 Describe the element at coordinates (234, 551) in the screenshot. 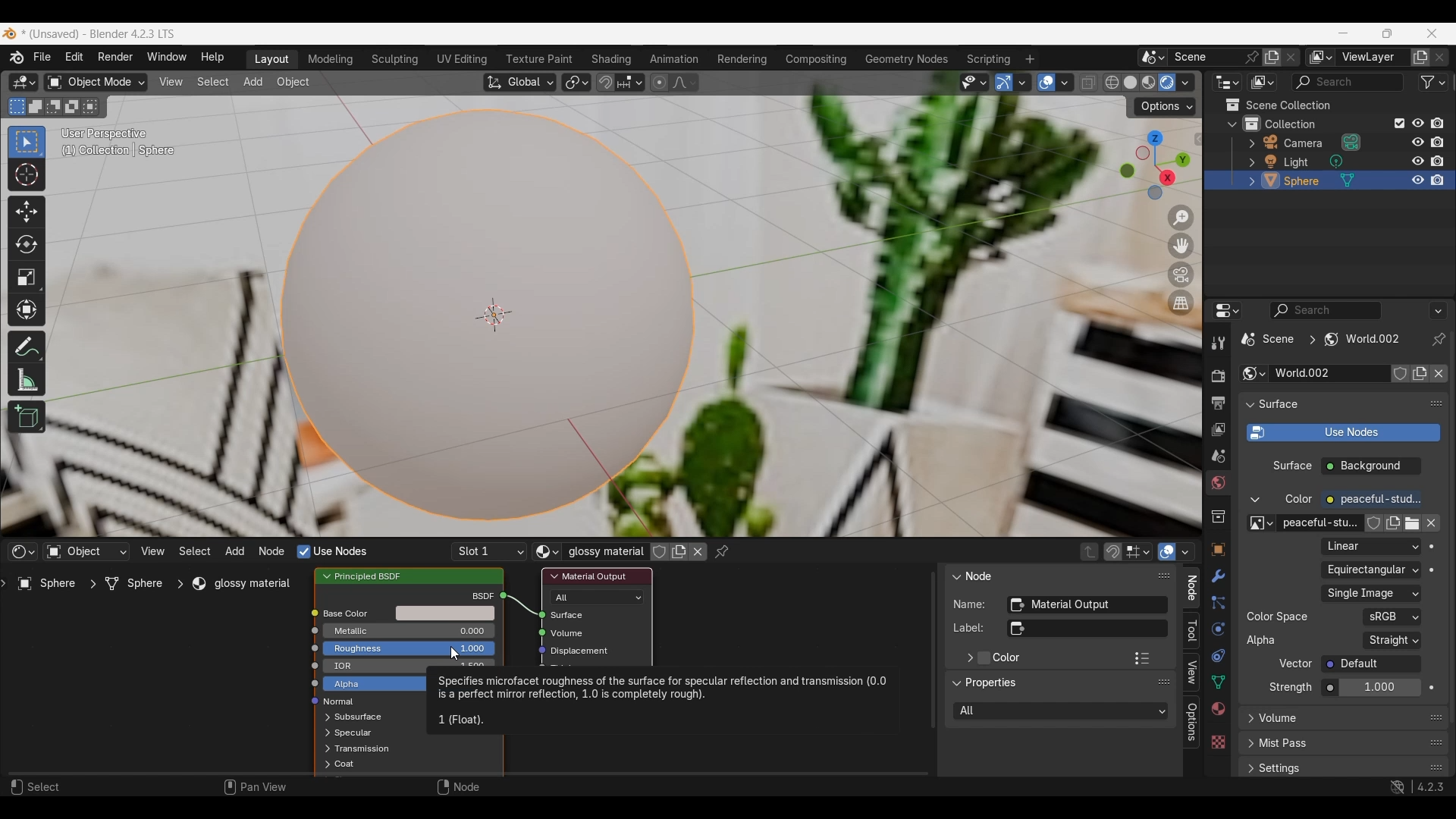

I see `Add menu` at that location.